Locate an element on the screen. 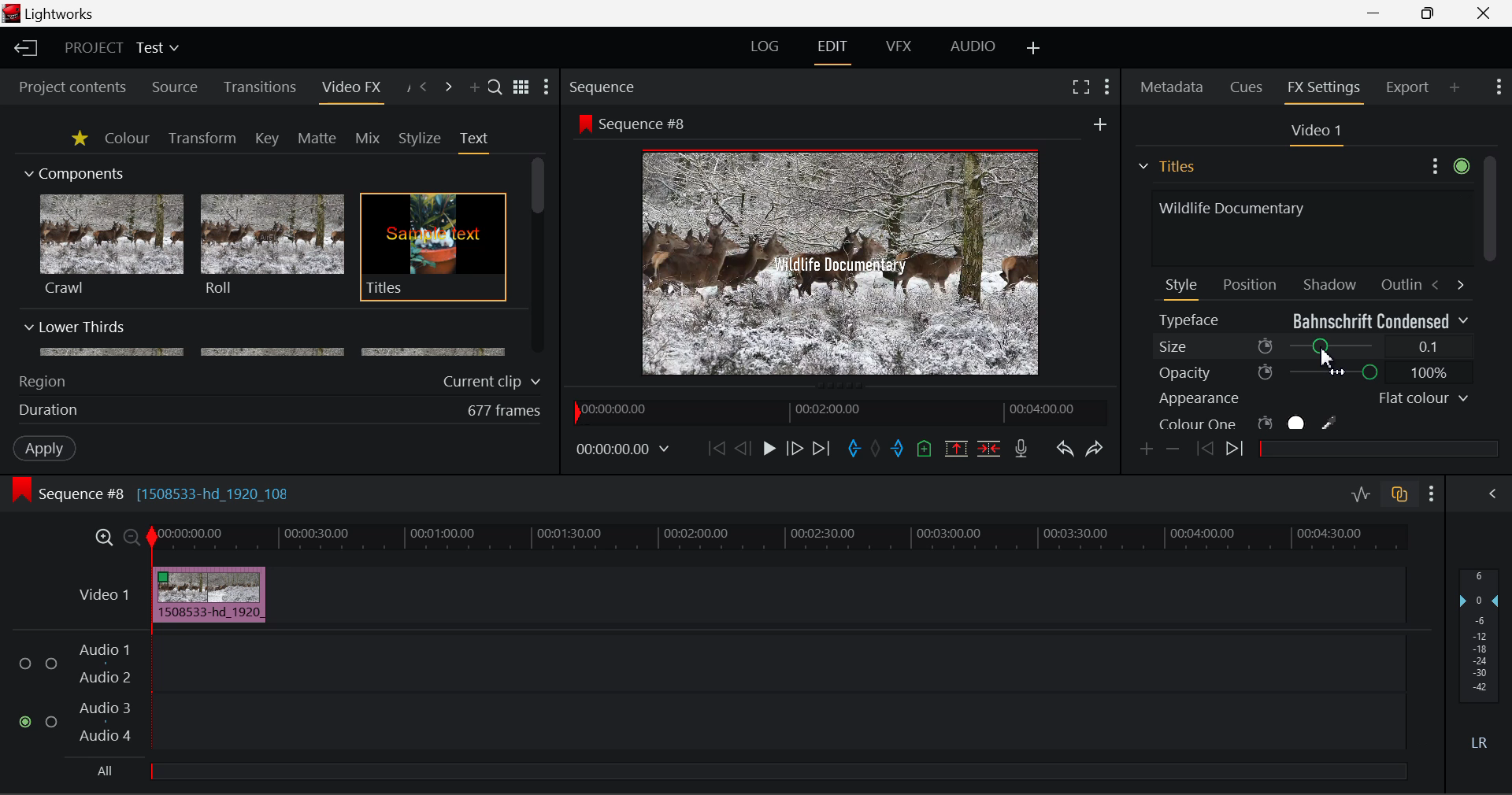 This screenshot has height=795, width=1512. Audio Input is located at coordinates (773, 695).